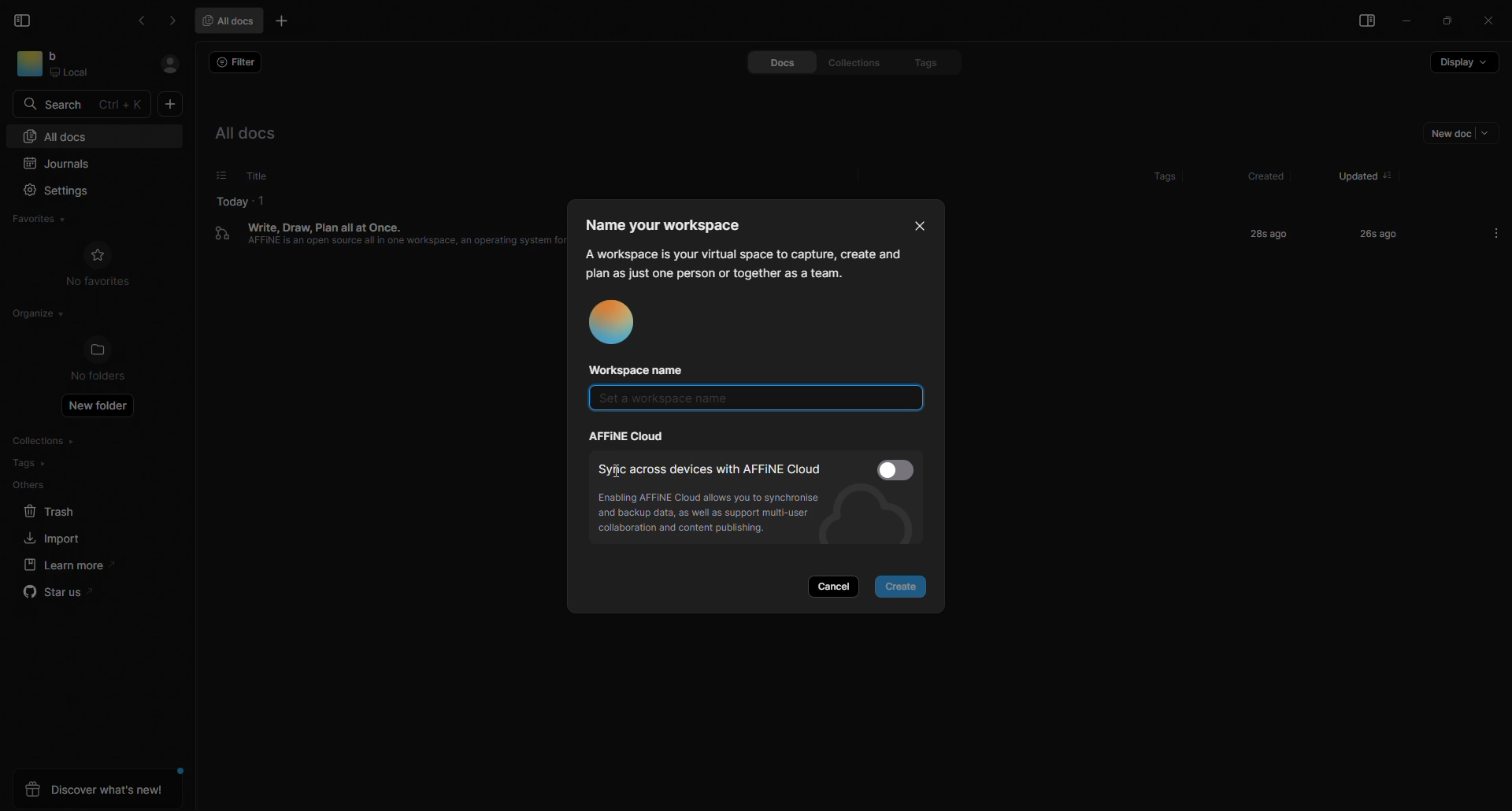 The height and width of the screenshot is (811, 1512). What do you see at coordinates (1453, 136) in the screenshot?
I see `new doc` at bounding box center [1453, 136].